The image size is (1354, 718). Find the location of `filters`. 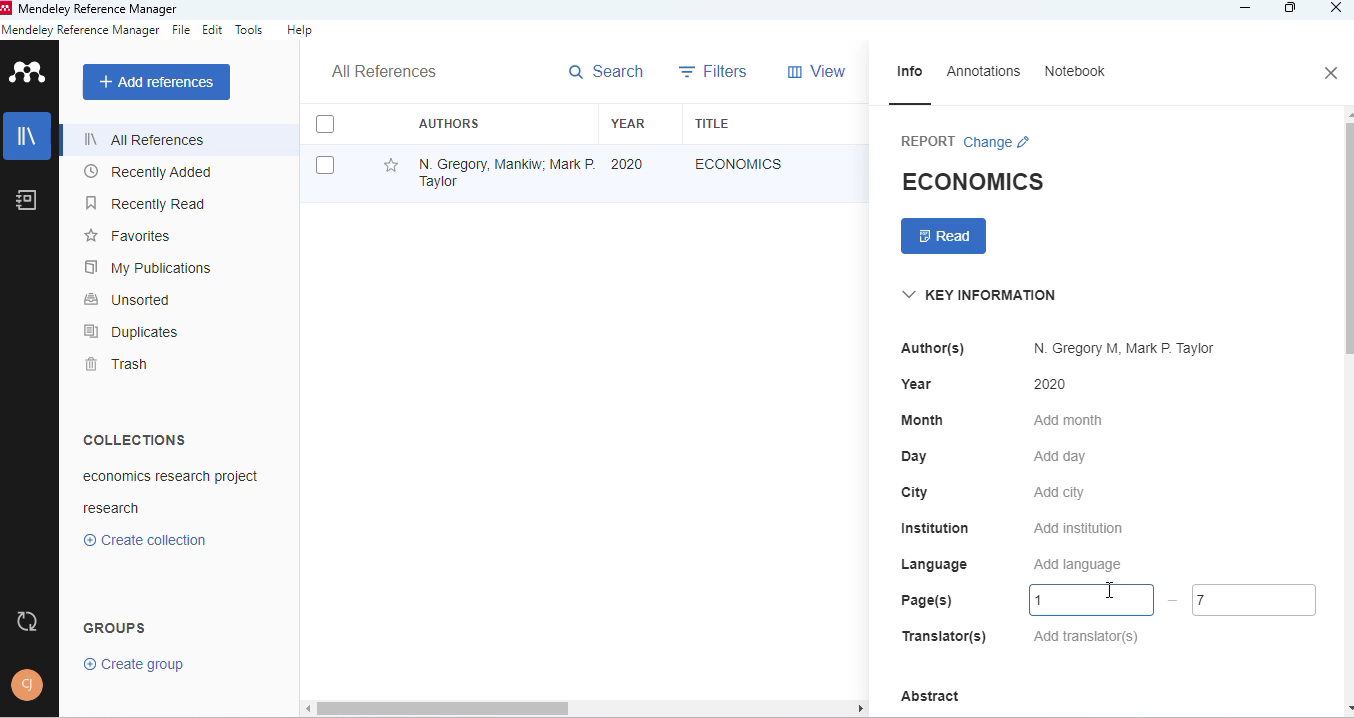

filters is located at coordinates (713, 70).